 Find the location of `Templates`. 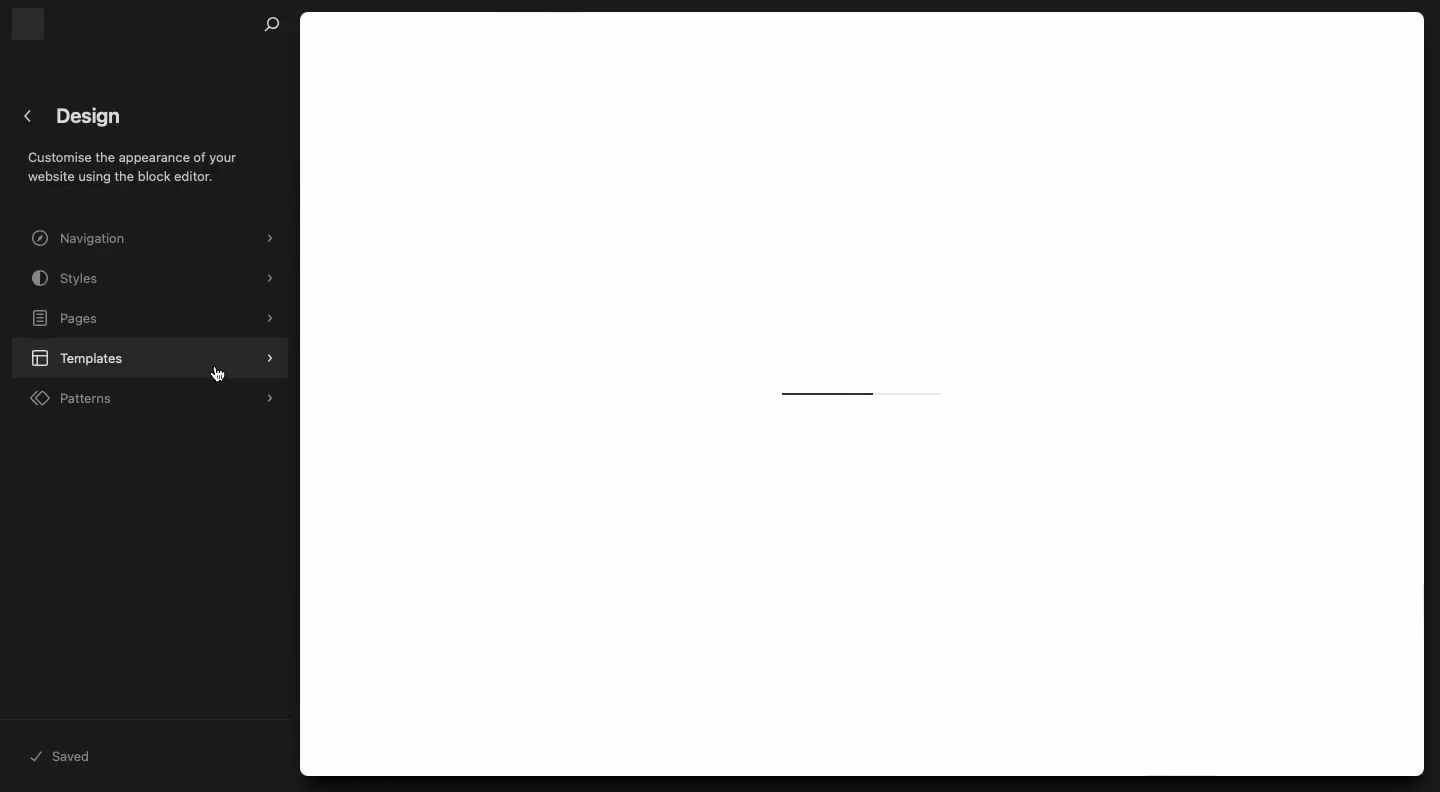

Templates is located at coordinates (152, 358).